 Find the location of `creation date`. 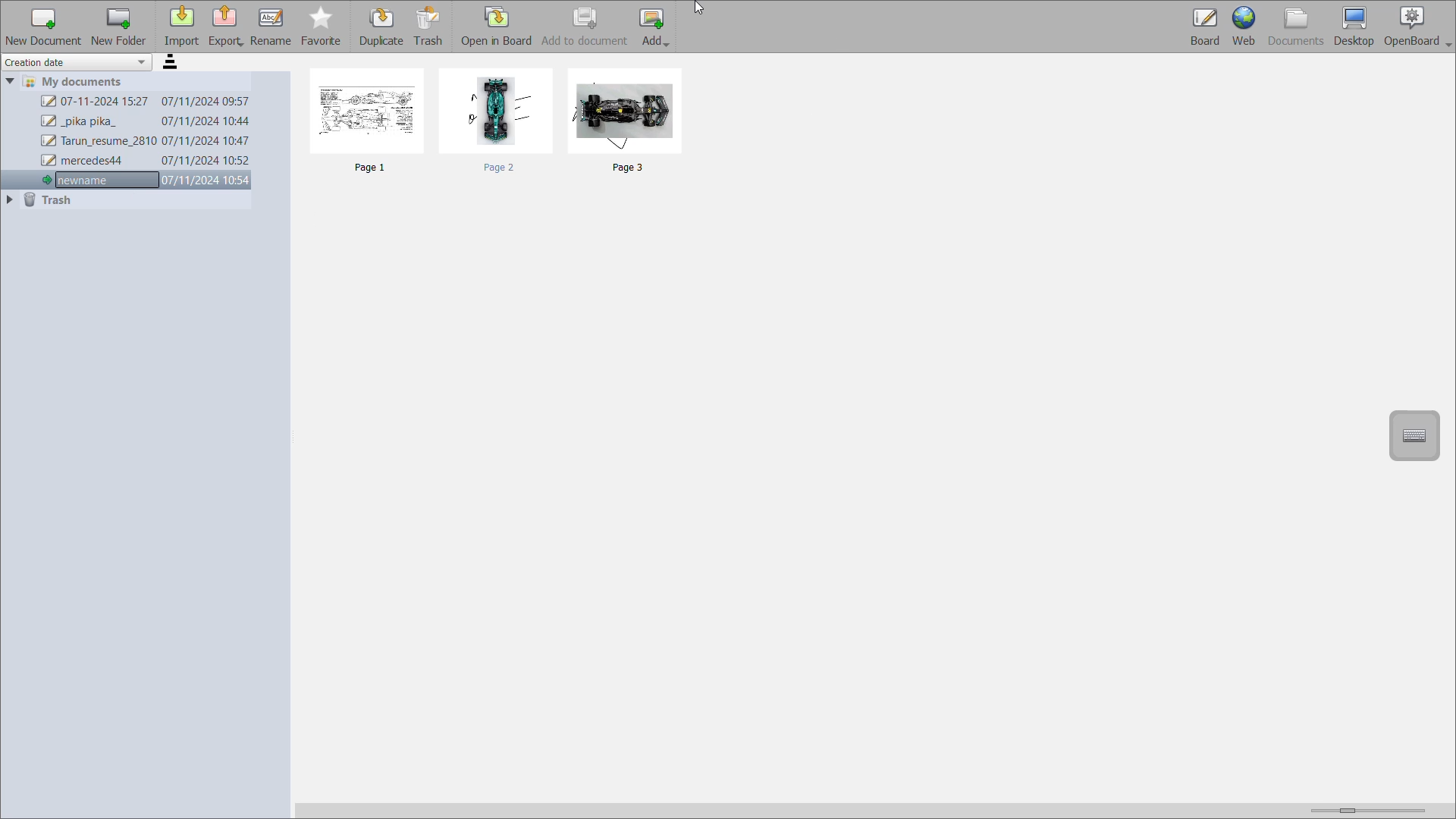

creation date is located at coordinates (78, 61).